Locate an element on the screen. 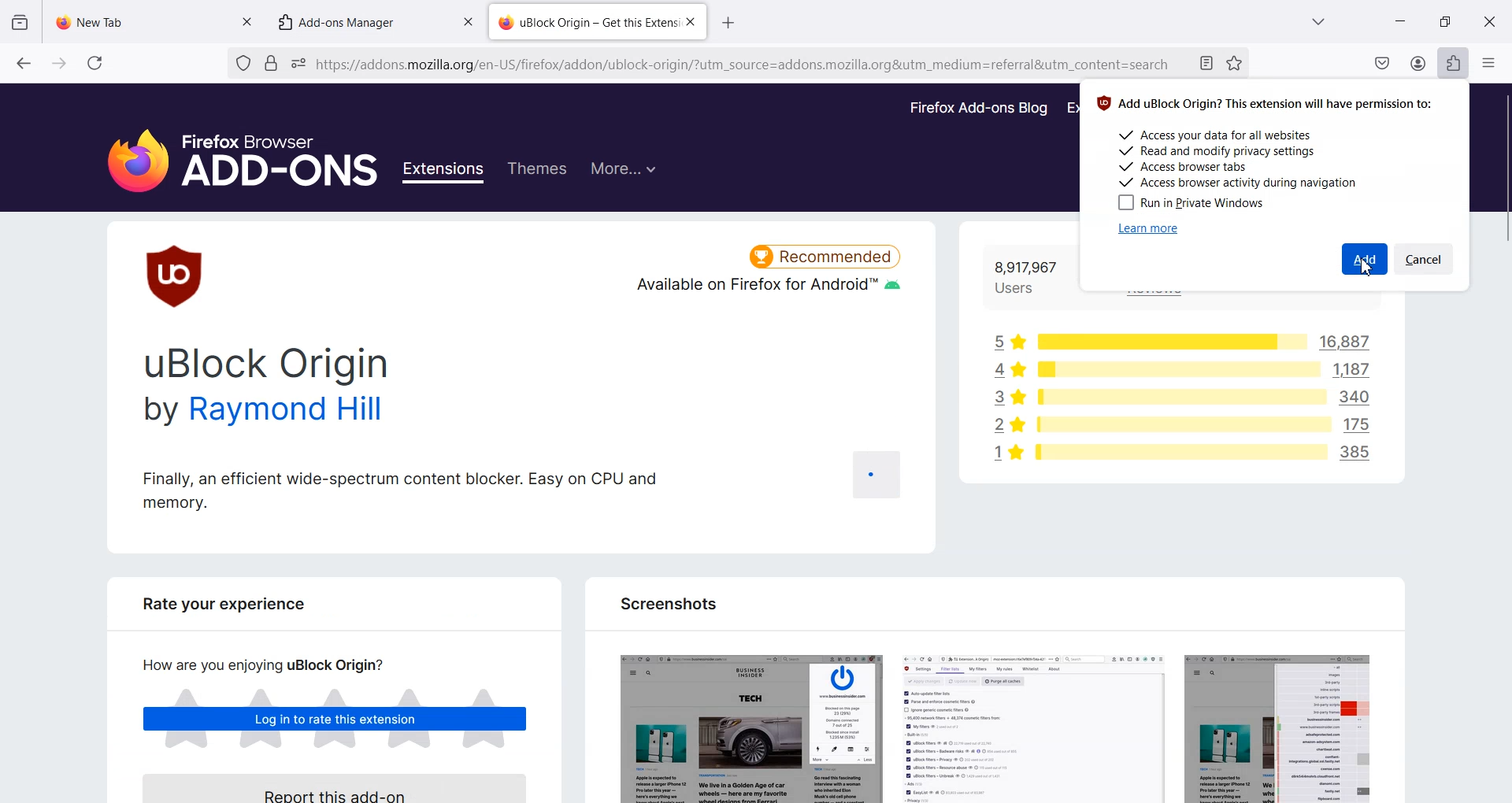  8,917,967 Users is located at coordinates (1026, 278).